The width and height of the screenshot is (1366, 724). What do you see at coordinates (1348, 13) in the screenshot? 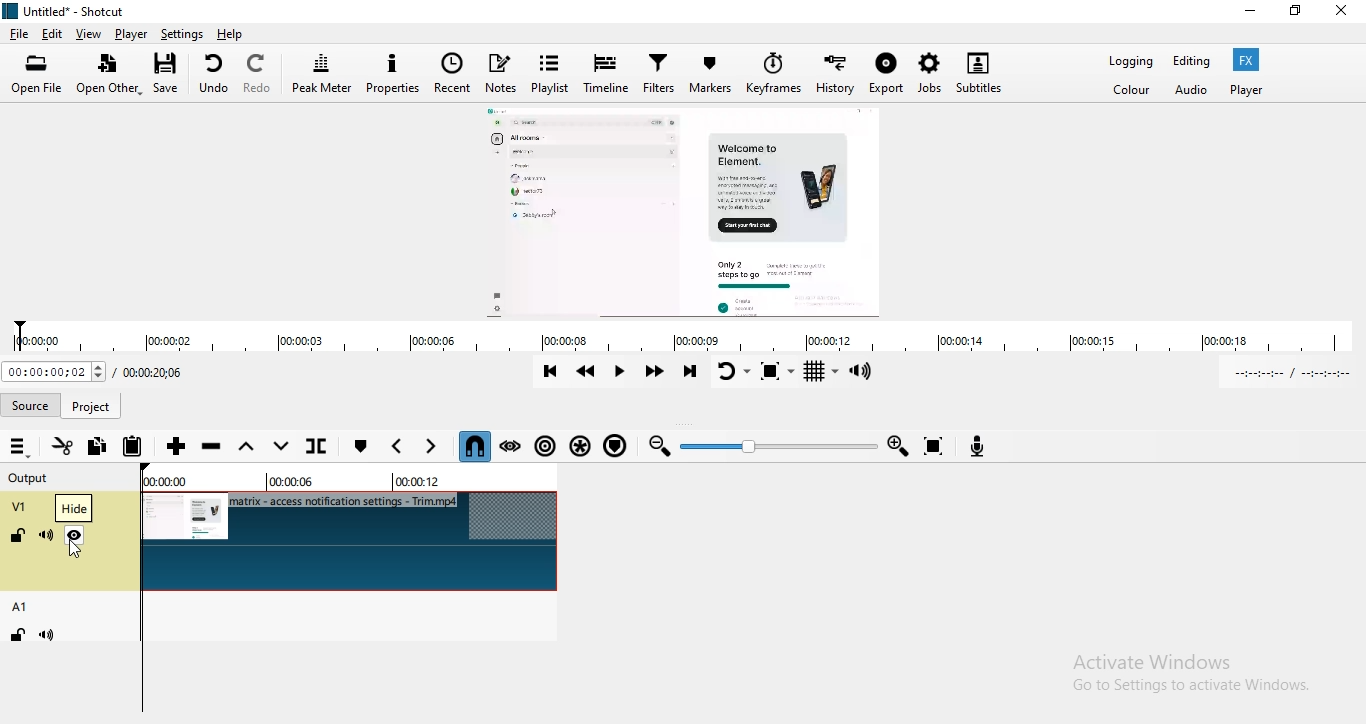
I see `close` at bounding box center [1348, 13].